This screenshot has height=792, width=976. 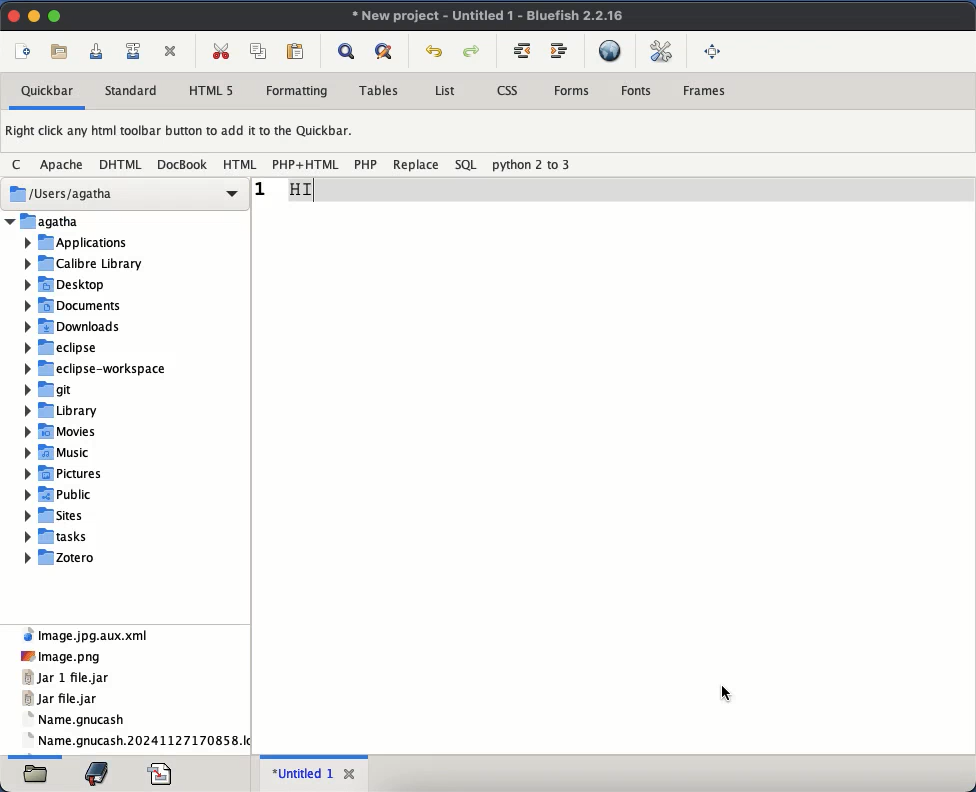 What do you see at coordinates (122, 166) in the screenshot?
I see `dhtml` at bounding box center [122, 166].